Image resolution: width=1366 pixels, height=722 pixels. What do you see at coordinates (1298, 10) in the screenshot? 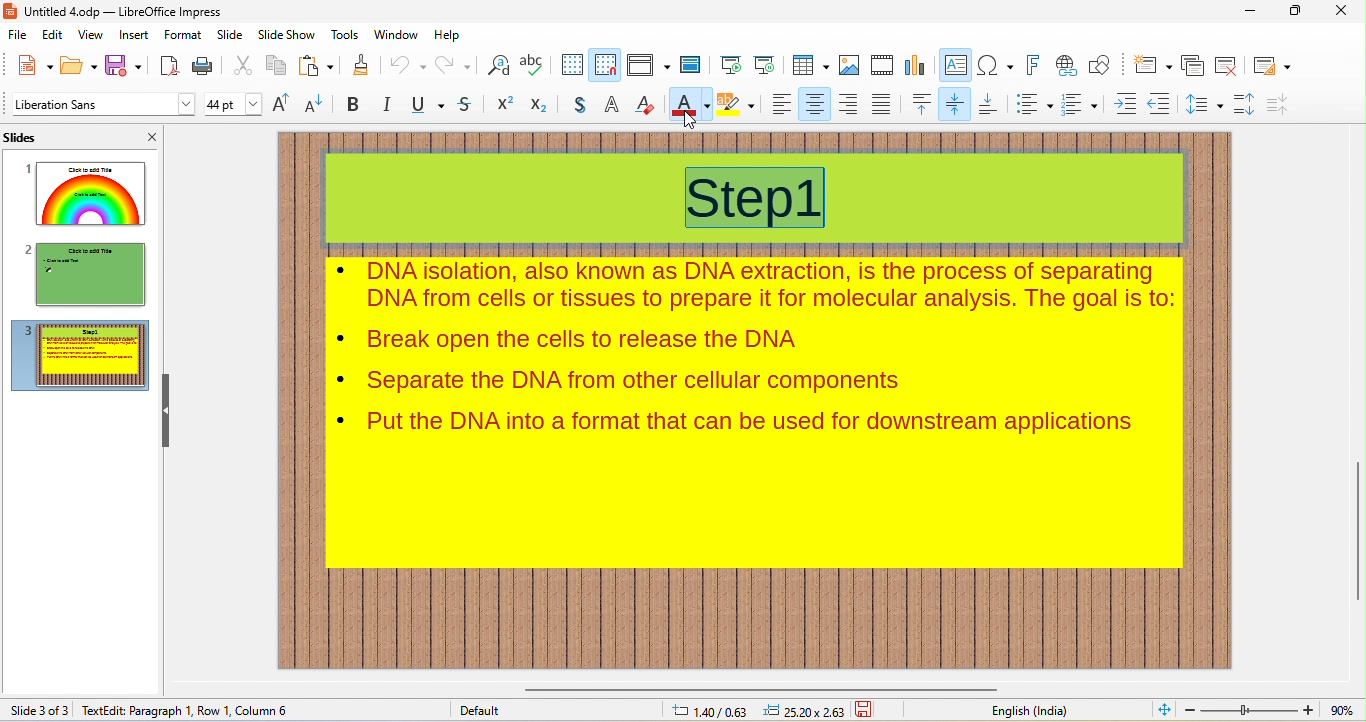
I see `maximize` at bounding box center [1298, 10].